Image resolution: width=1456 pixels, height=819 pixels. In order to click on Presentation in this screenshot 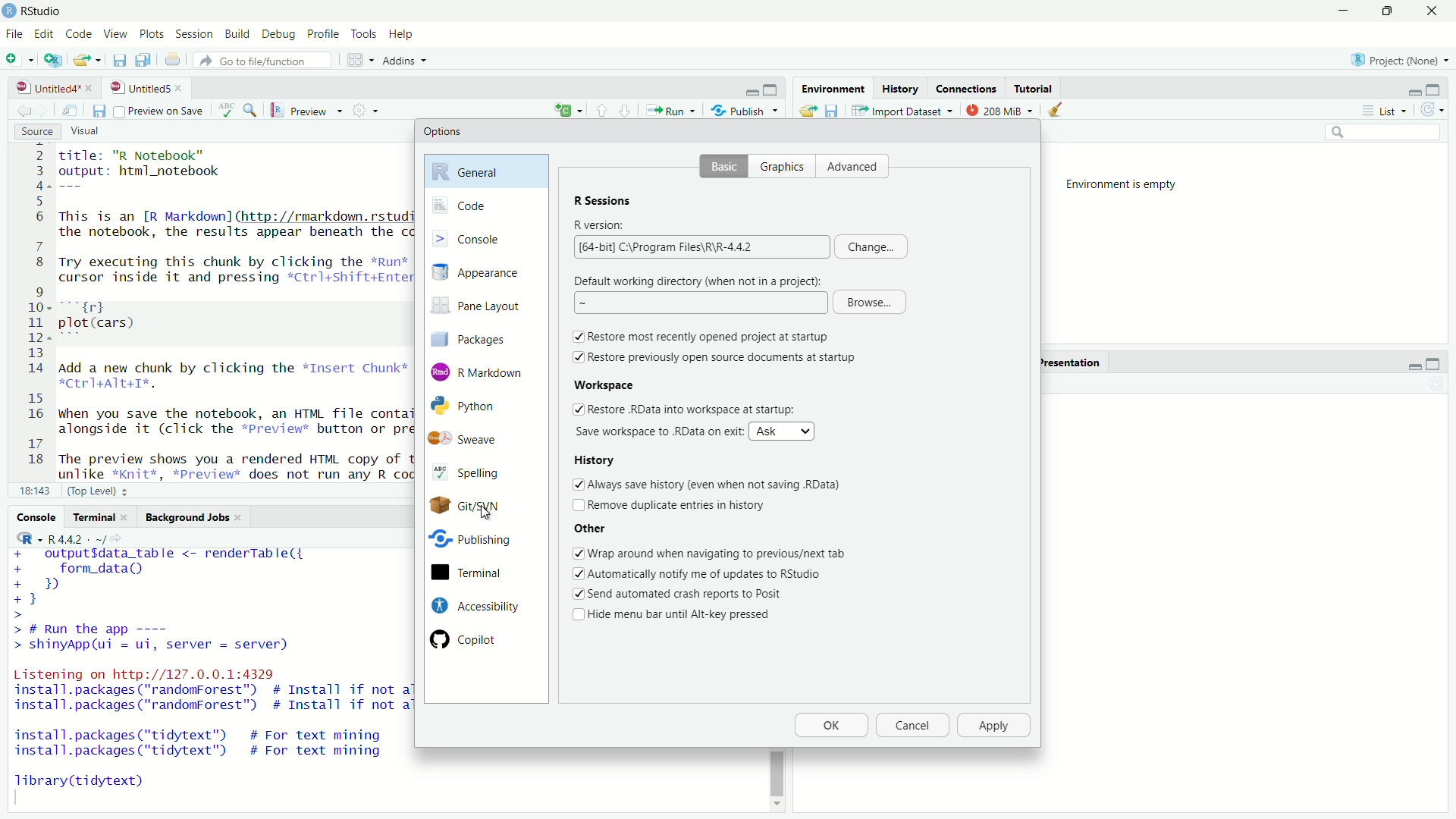, I will do `click(1069, 362)`.